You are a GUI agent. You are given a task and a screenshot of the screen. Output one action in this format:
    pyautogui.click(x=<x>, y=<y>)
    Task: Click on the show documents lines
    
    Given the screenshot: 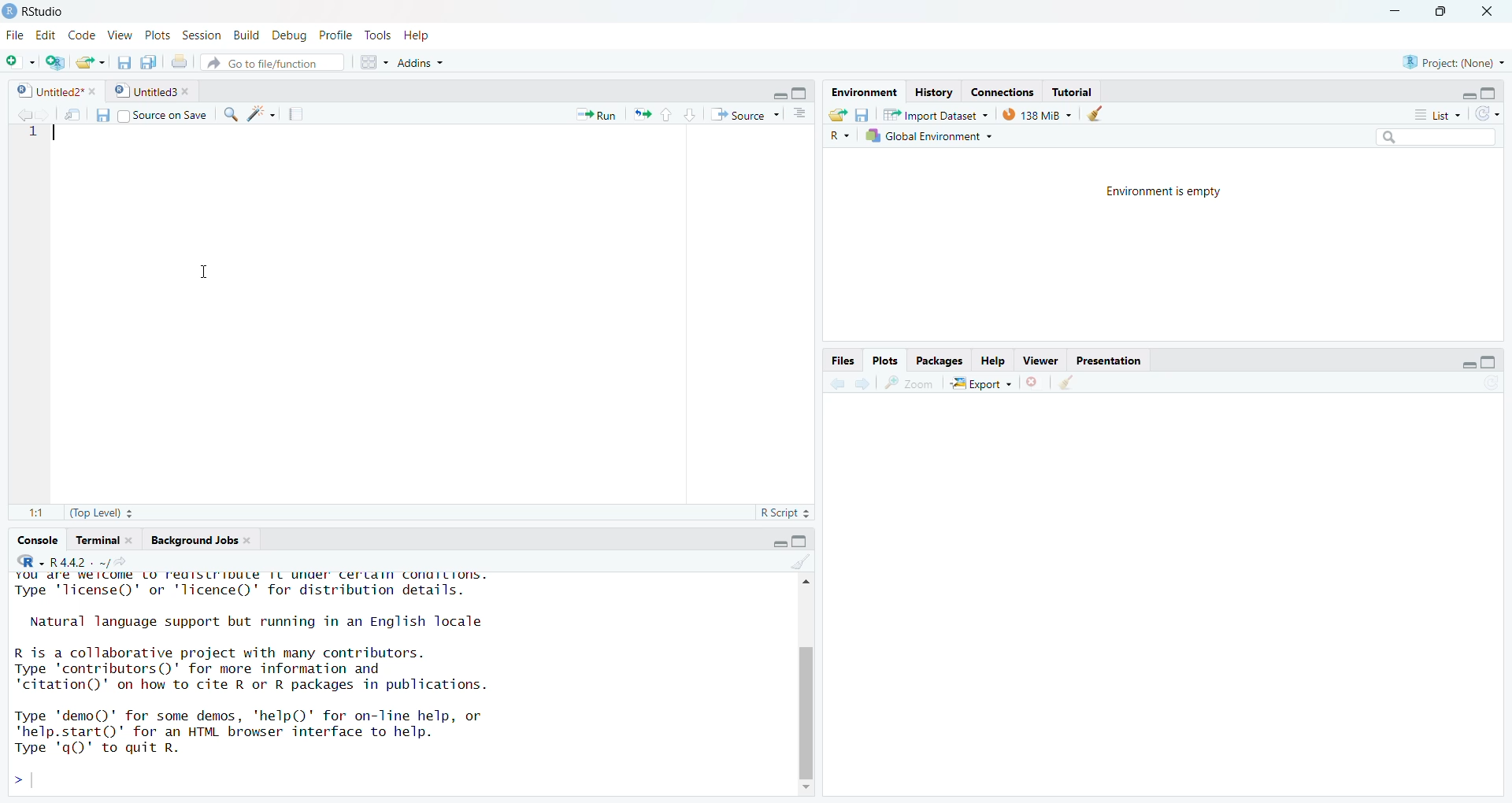 What is the action you would take?
    pyautogui.click(x=802, y=111)
    